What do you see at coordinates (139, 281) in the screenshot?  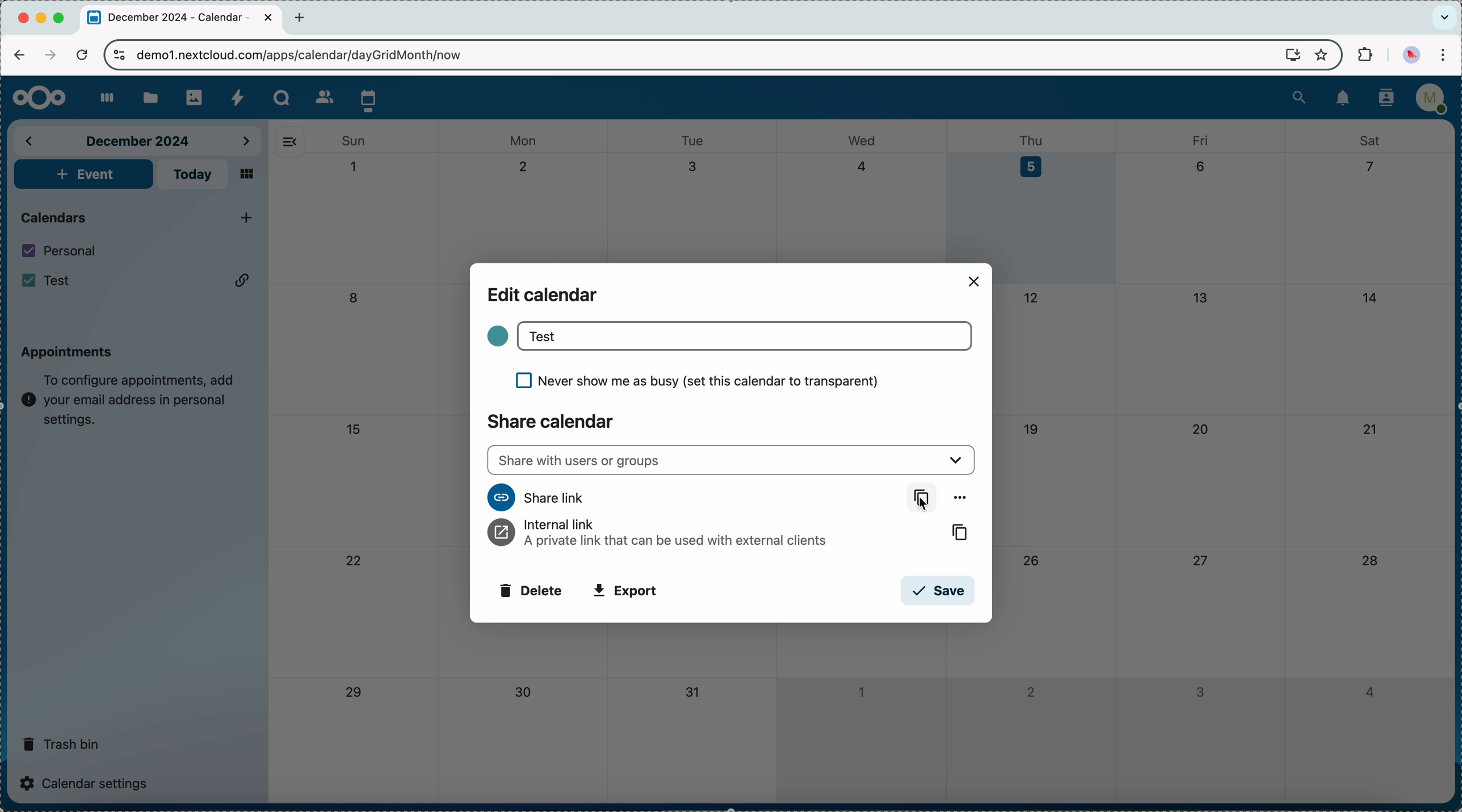 I see `Test calendar` at bounding box center [139, 281].